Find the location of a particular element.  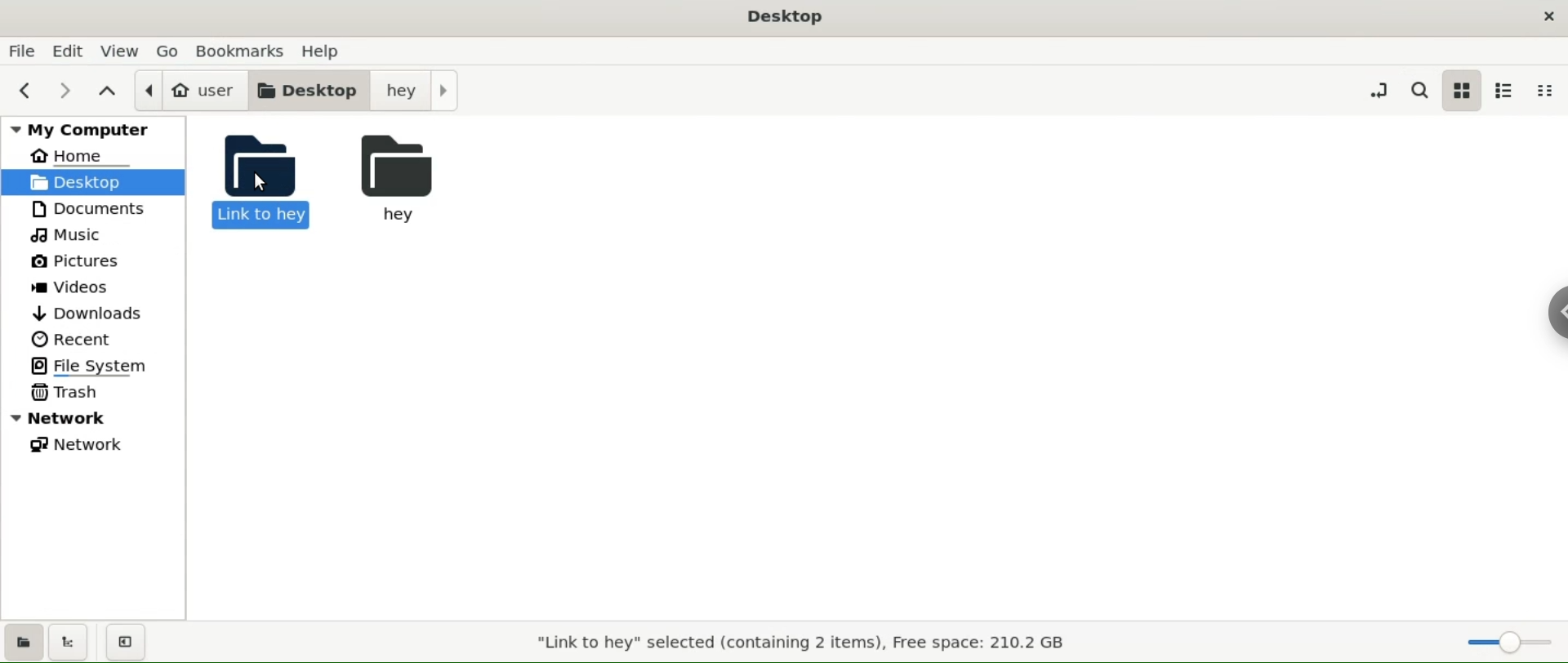

compact view is located at coordinates (1543, 93).